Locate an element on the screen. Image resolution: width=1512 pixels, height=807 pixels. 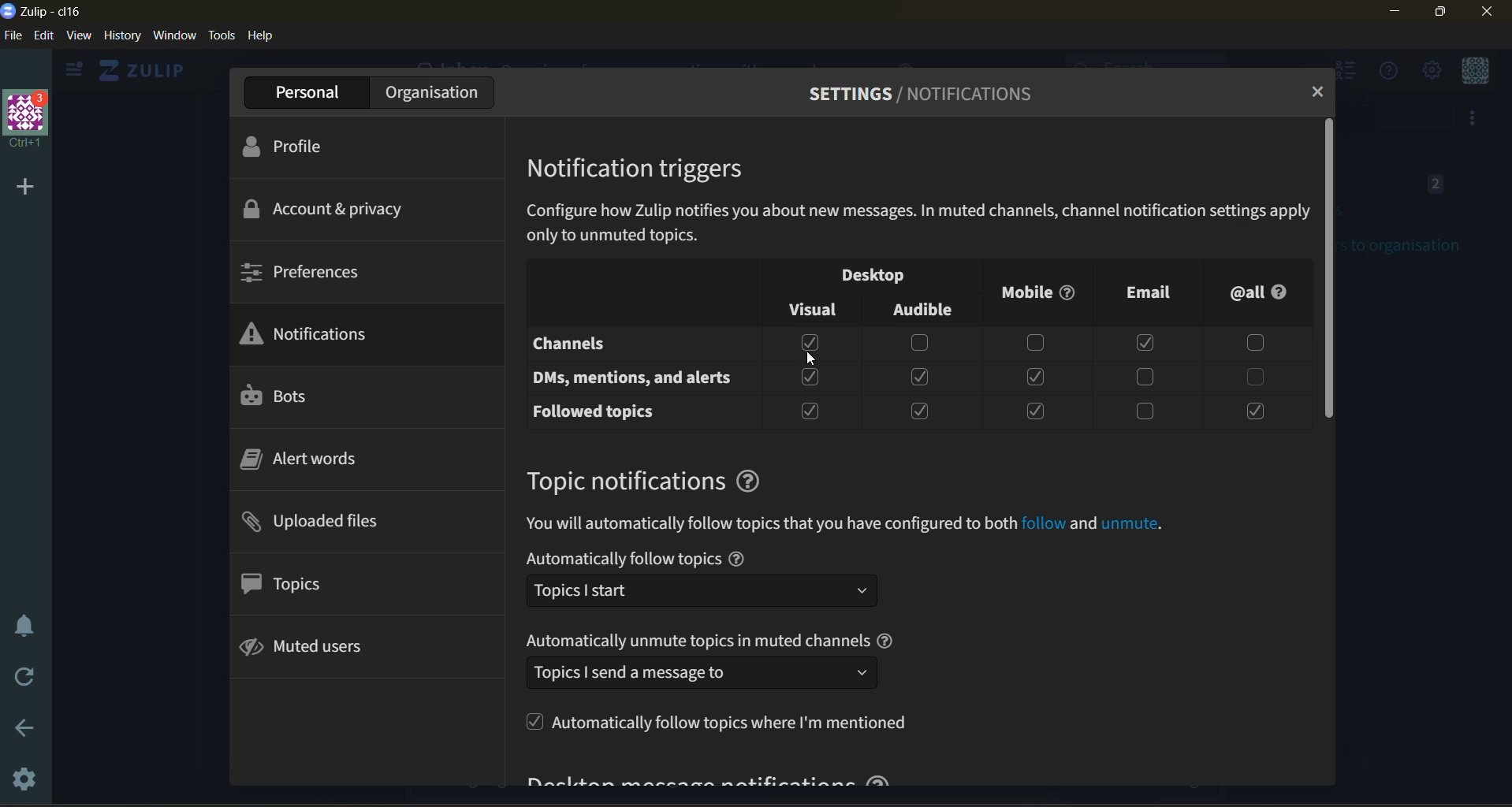
bots is located at coordinates (281, 396).